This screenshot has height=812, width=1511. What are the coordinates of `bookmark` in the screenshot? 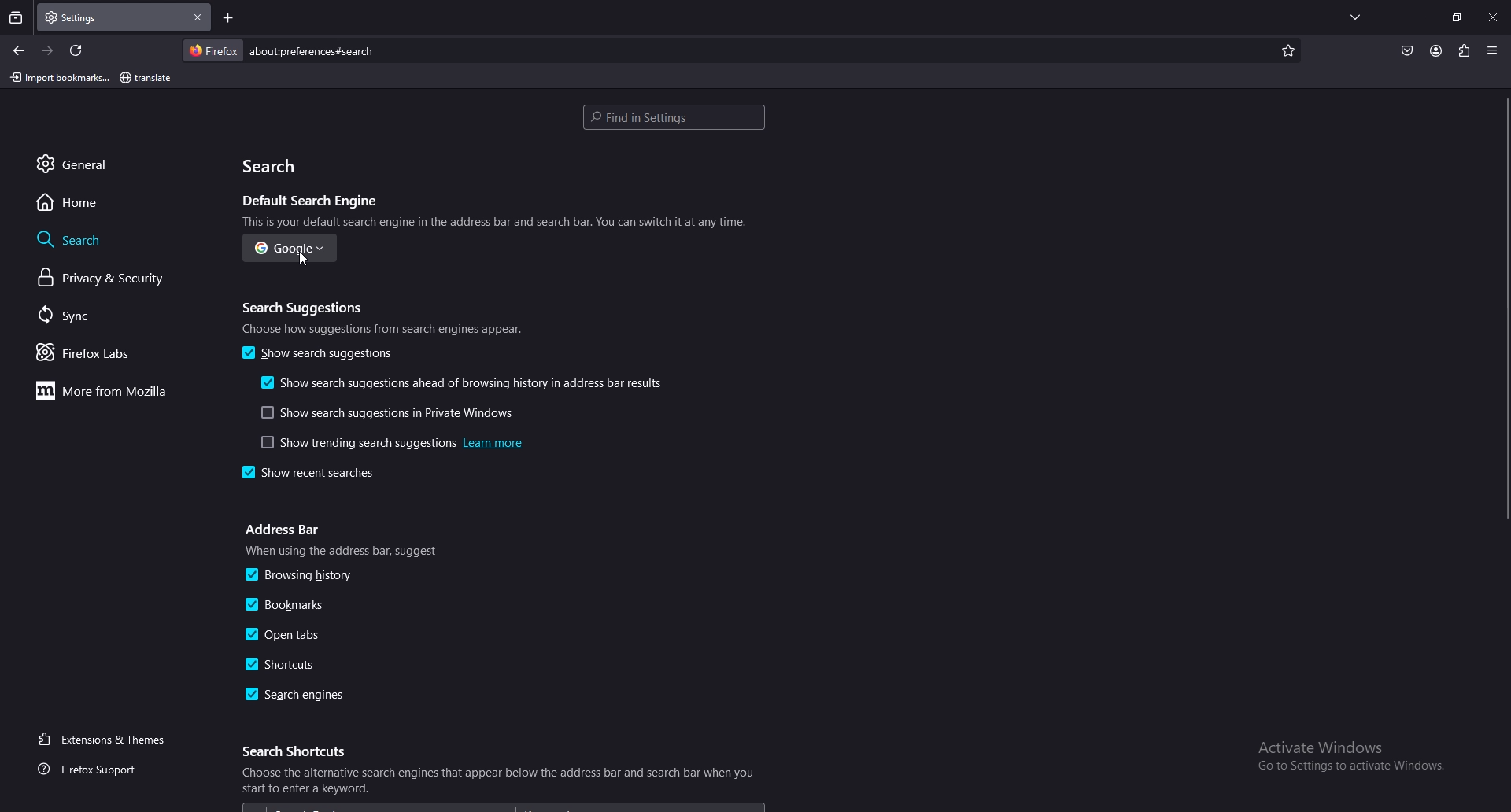 It's located at (147, 79).